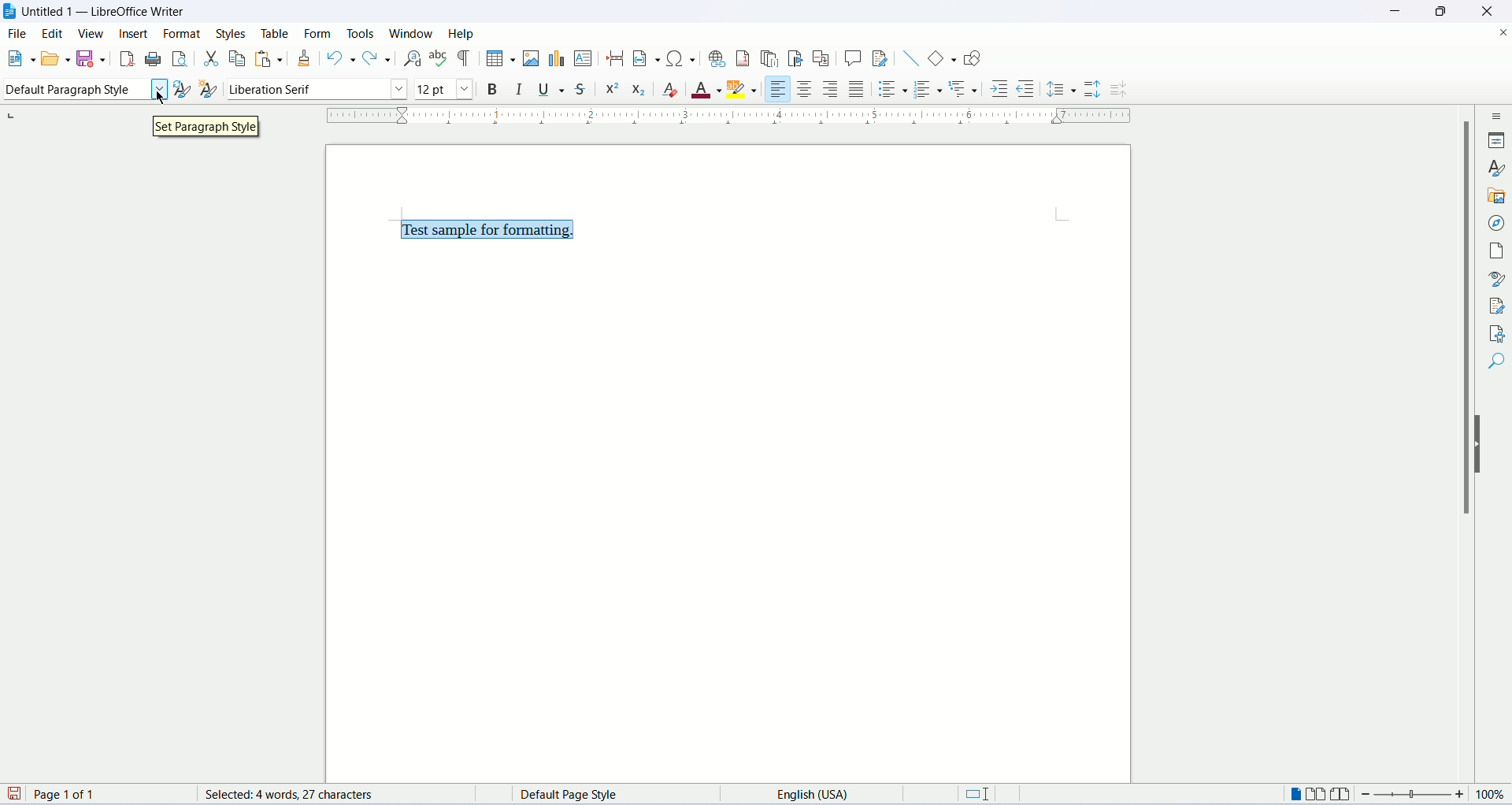 The width and height of the screenshot is (1512, 805). What do you see at coordinates (1093, 91) in the screenshot?
I see `increase paragraph spacing` at bounding box center [1093, 91].